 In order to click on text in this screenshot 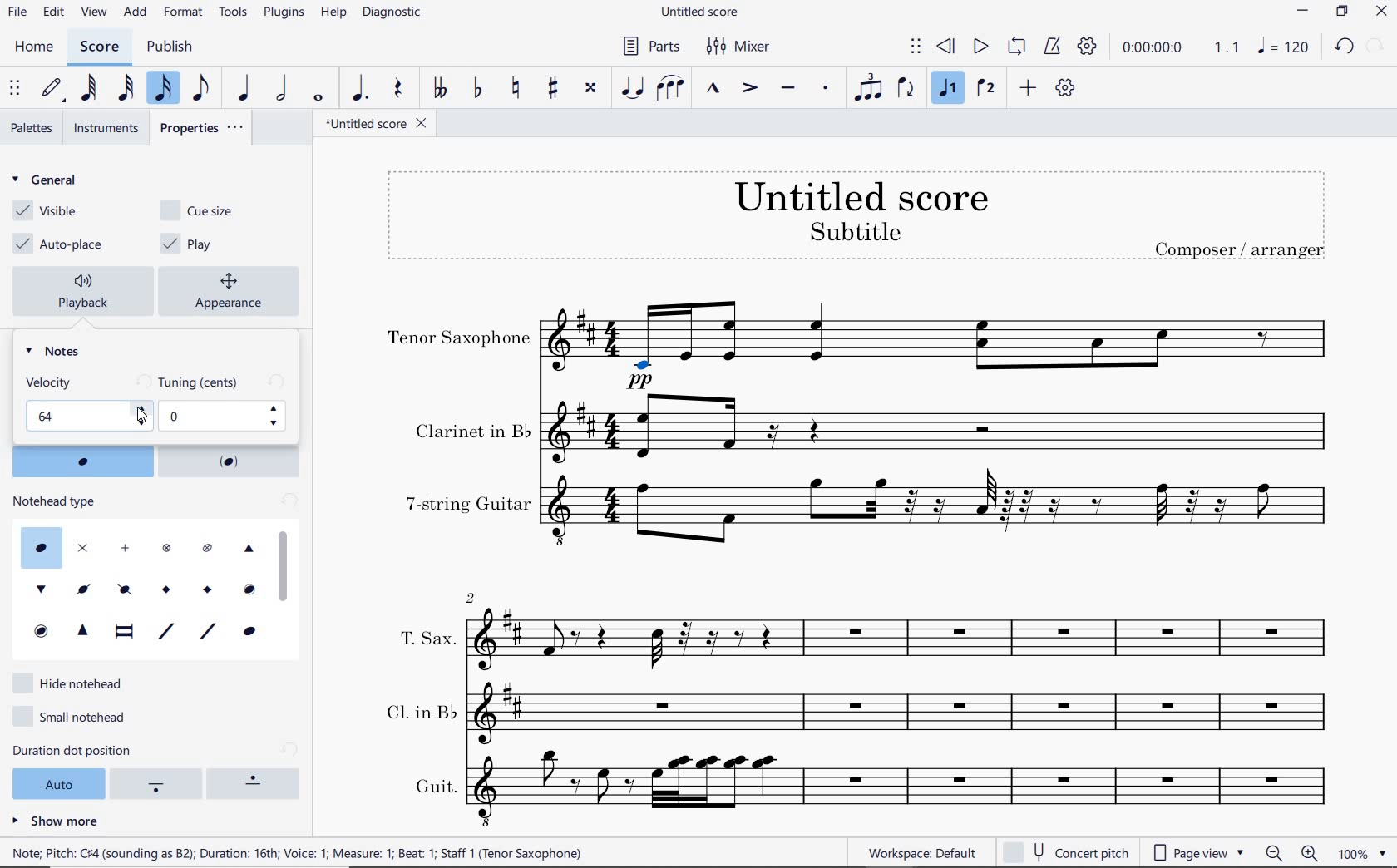, I will do `click(200, 382)`.